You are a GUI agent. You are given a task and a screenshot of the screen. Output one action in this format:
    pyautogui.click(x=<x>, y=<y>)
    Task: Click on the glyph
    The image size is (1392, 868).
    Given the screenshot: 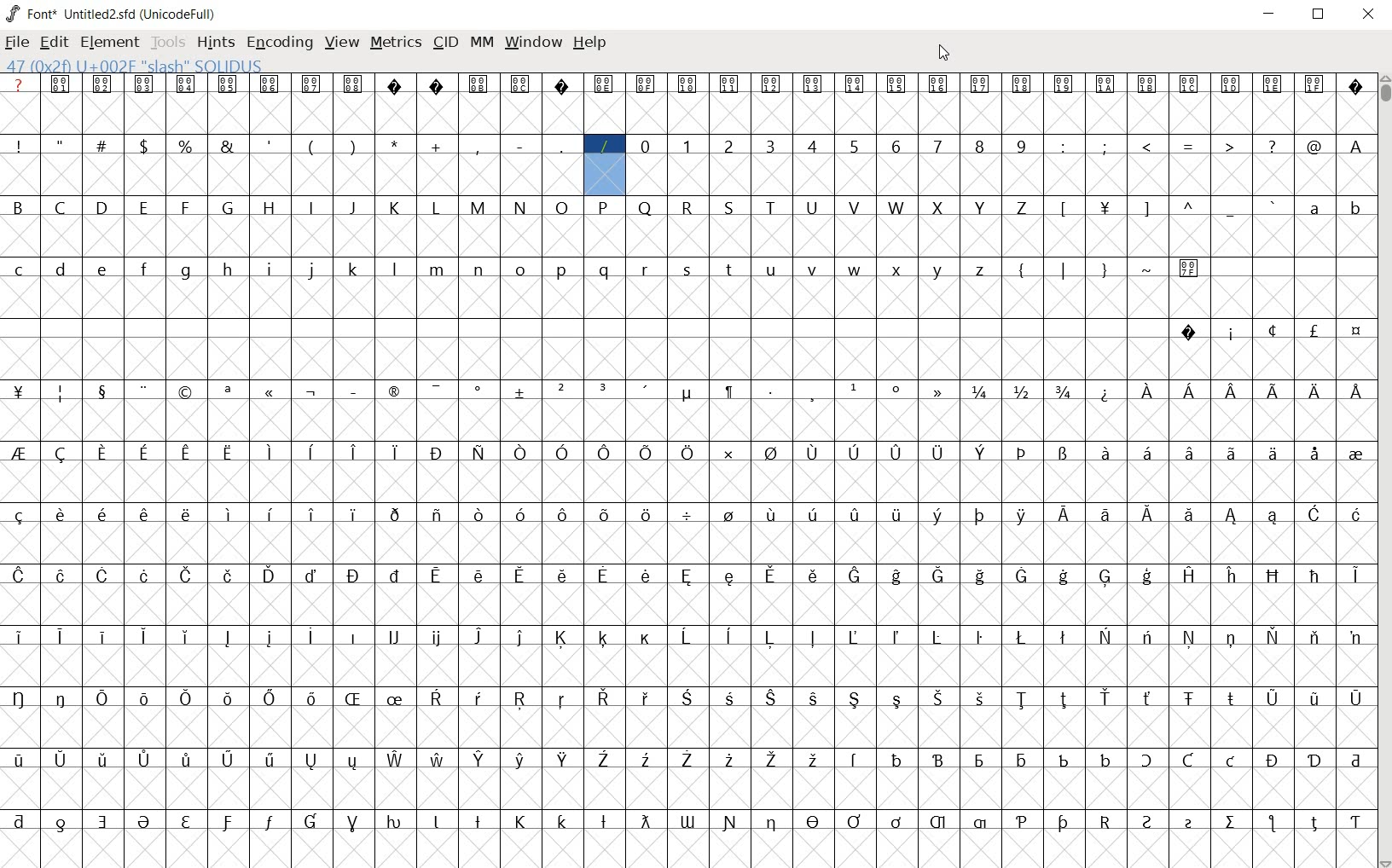 What is the action you would take?
    pyautogui.click(x=228, y=454)
    